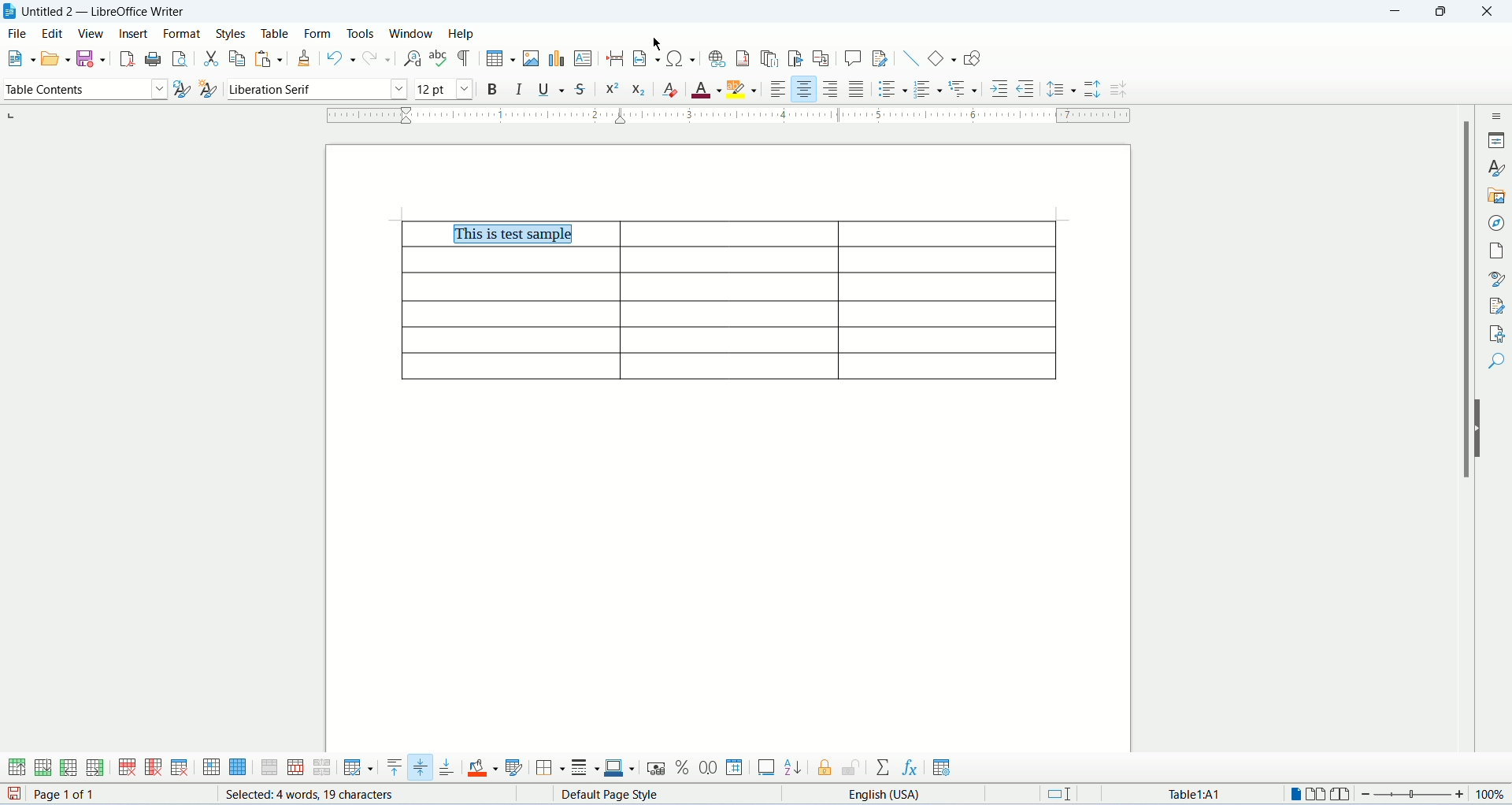 Image resolution: width=1512 pixels, height=805 pixels. I want to click on line spacing, so click(1062, 89).